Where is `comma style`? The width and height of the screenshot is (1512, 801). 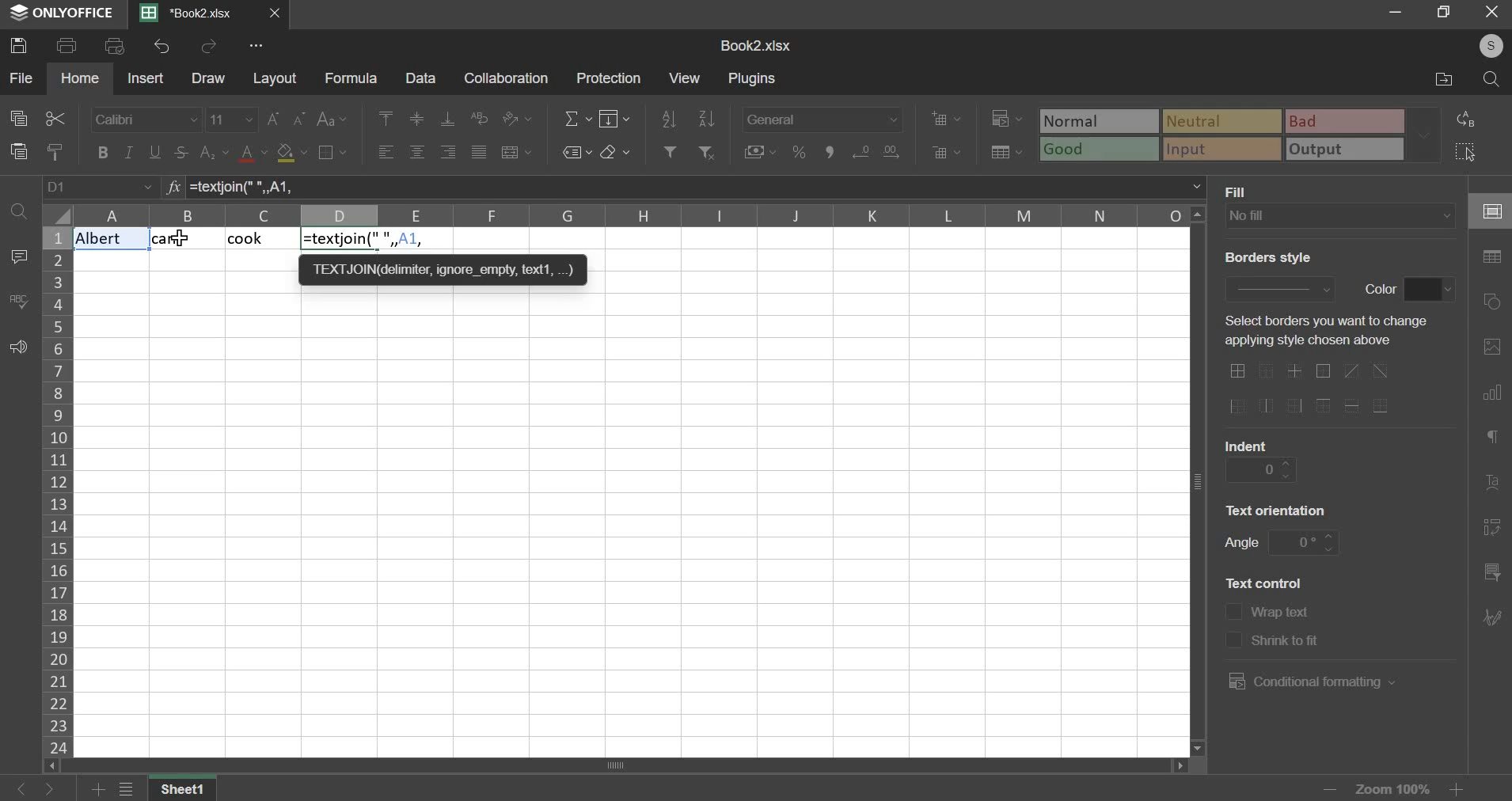
comma style is located at coordinates (833, 152).